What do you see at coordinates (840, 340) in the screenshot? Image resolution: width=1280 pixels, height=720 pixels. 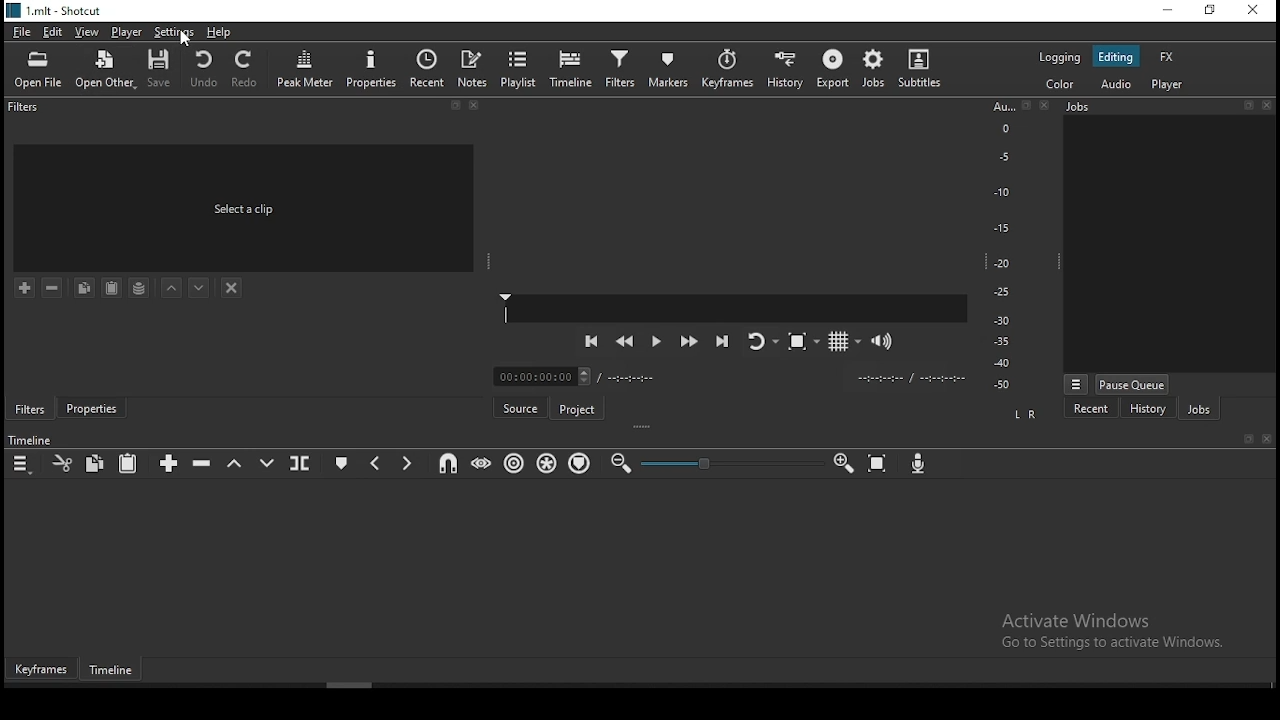 I see `toggle grid display on the player` at bounding box center [840, 340].